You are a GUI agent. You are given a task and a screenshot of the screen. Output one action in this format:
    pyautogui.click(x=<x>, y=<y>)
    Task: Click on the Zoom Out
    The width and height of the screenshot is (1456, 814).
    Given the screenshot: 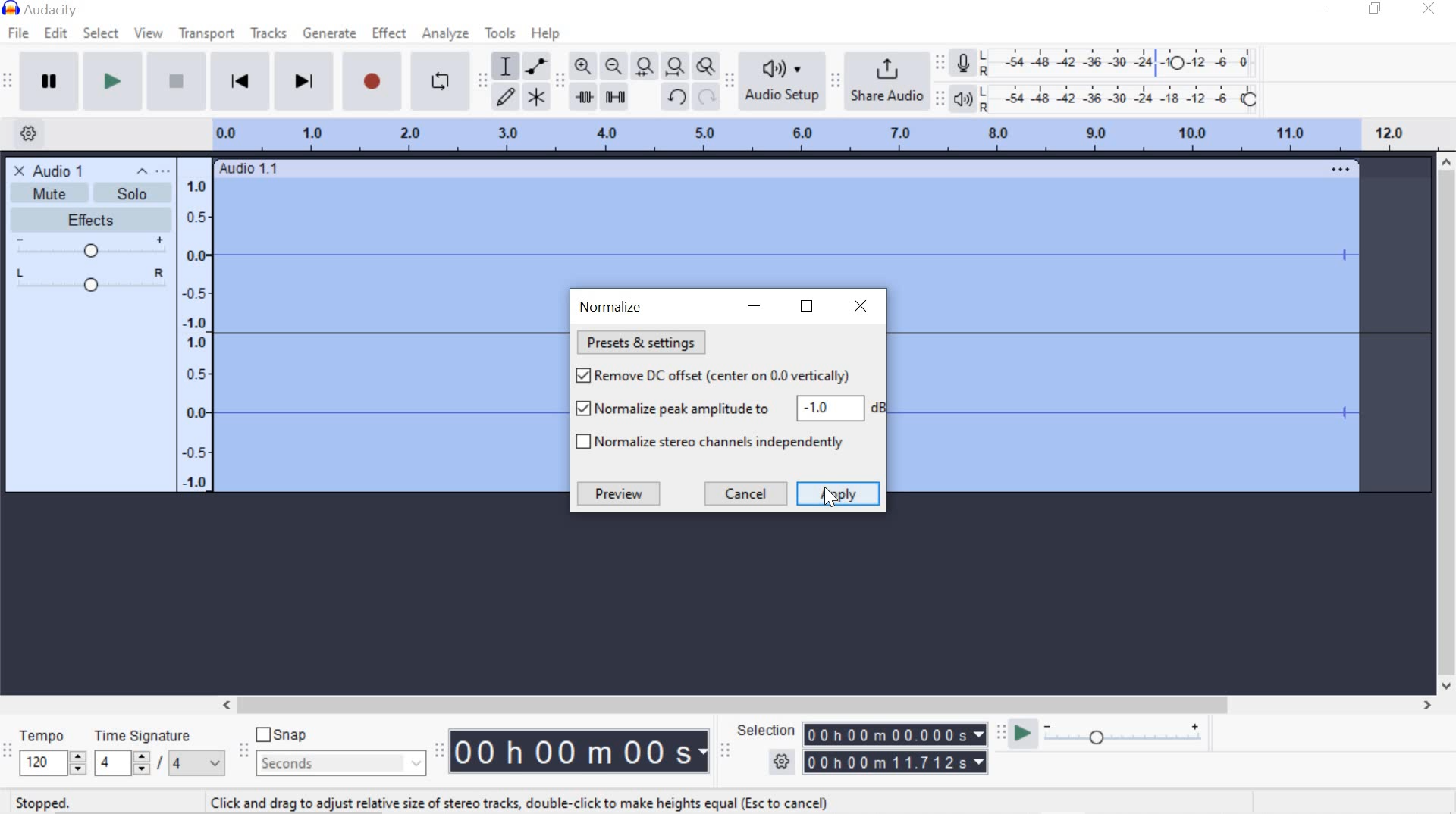 What is the action you would take?
    pyautogui.click(x=615, y=67)
    